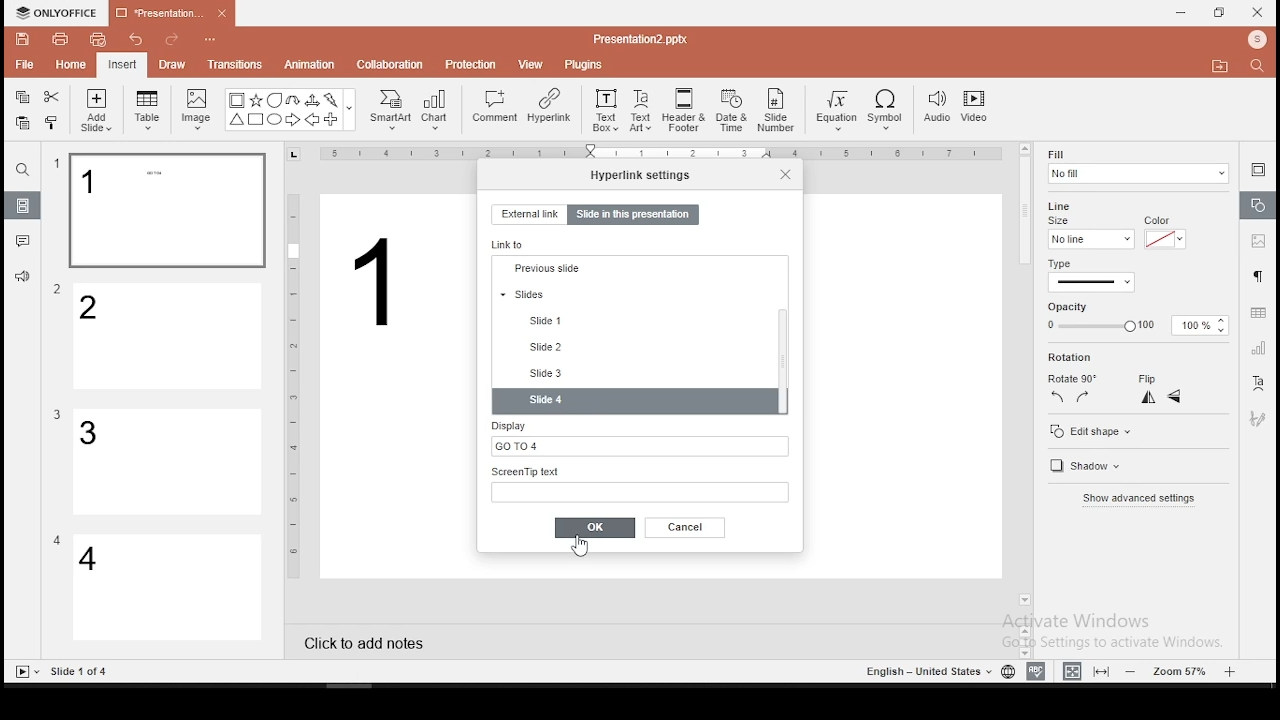  What do you see at coordinates (21, 123) in the screenshot?
I see `paste` at bounding box center [21, 123].